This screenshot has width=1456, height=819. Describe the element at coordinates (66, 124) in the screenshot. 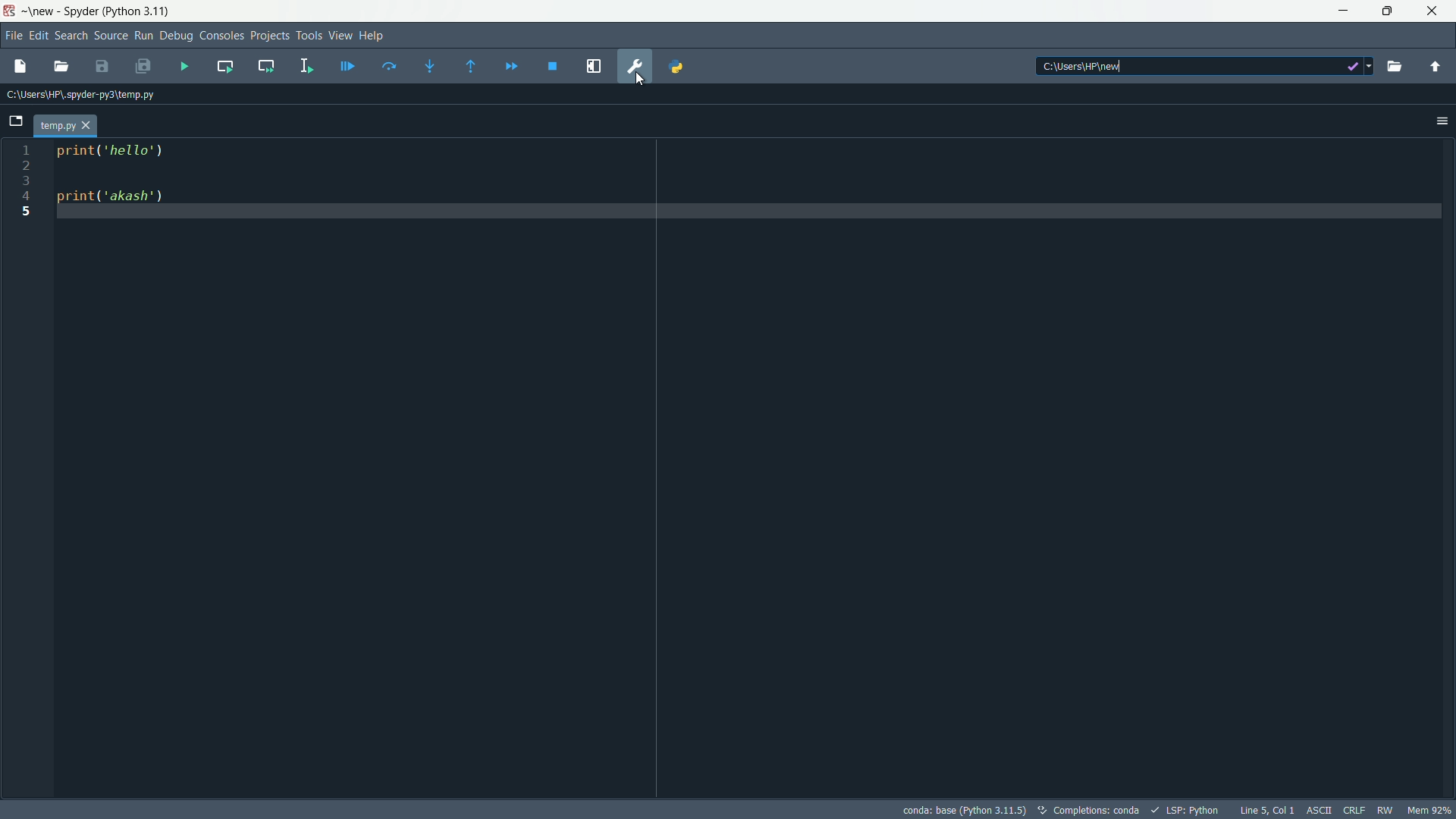

I see `file tab` at that location.